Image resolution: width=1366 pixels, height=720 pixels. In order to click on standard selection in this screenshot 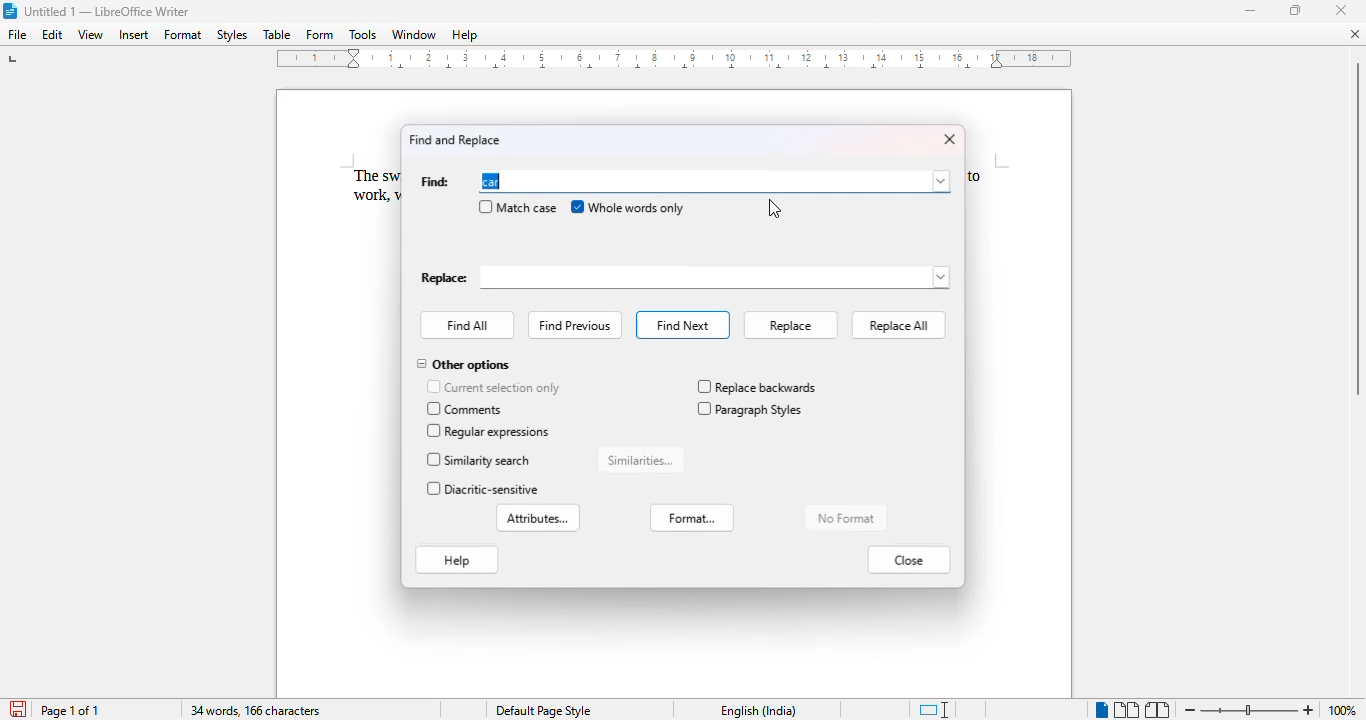, I will do `click(934, 710)`.